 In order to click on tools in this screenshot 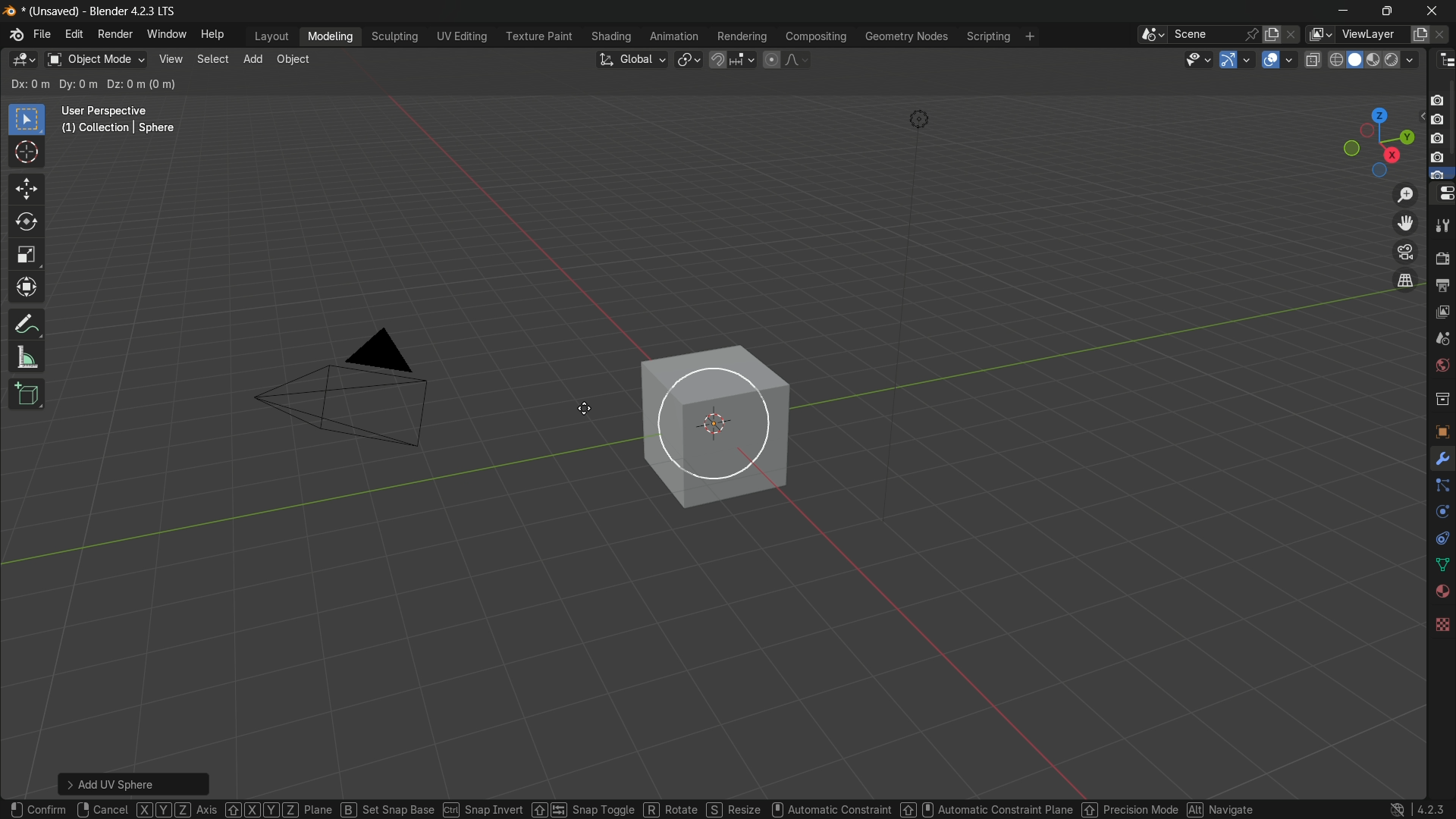, I will do `click(1442, 223)`.